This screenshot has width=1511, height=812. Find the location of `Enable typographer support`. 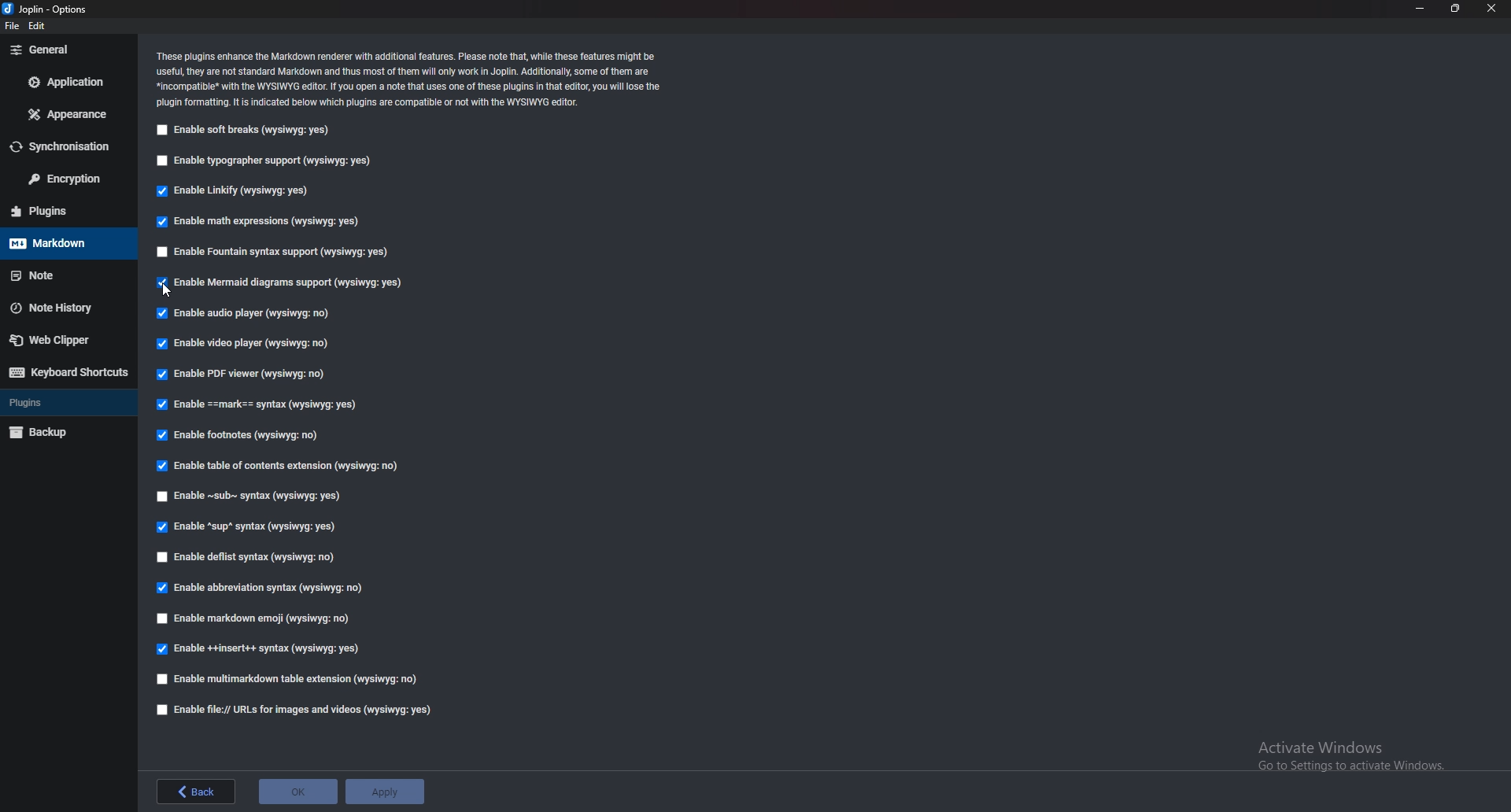

Enable typographer support is located at coordinates (279, 160).